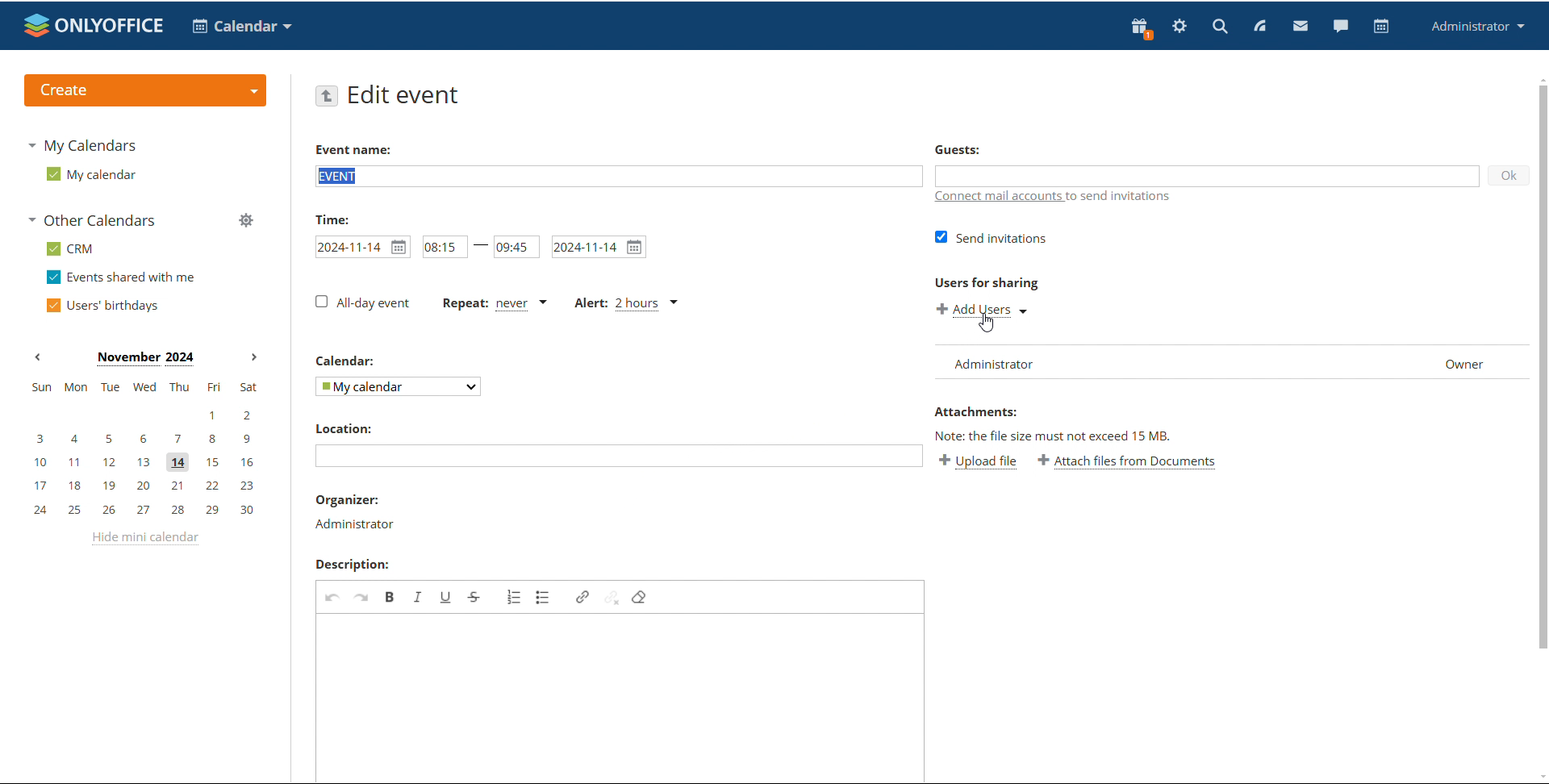  I want to click on crm, so click(70, 250).